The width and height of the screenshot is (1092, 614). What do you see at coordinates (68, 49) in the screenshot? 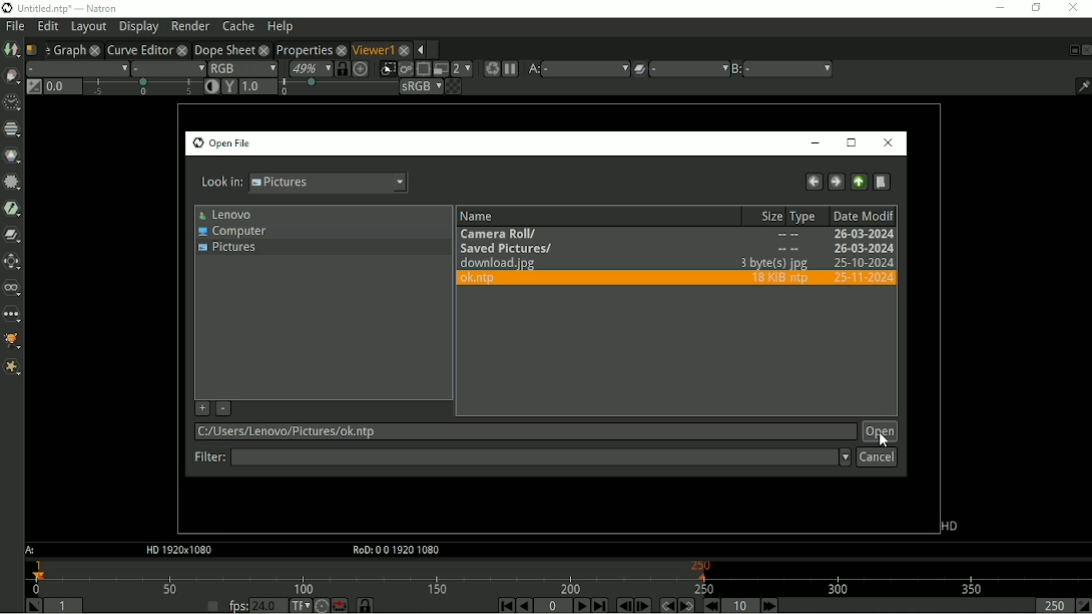
I see `Graph` at bounding box center [68, 49].